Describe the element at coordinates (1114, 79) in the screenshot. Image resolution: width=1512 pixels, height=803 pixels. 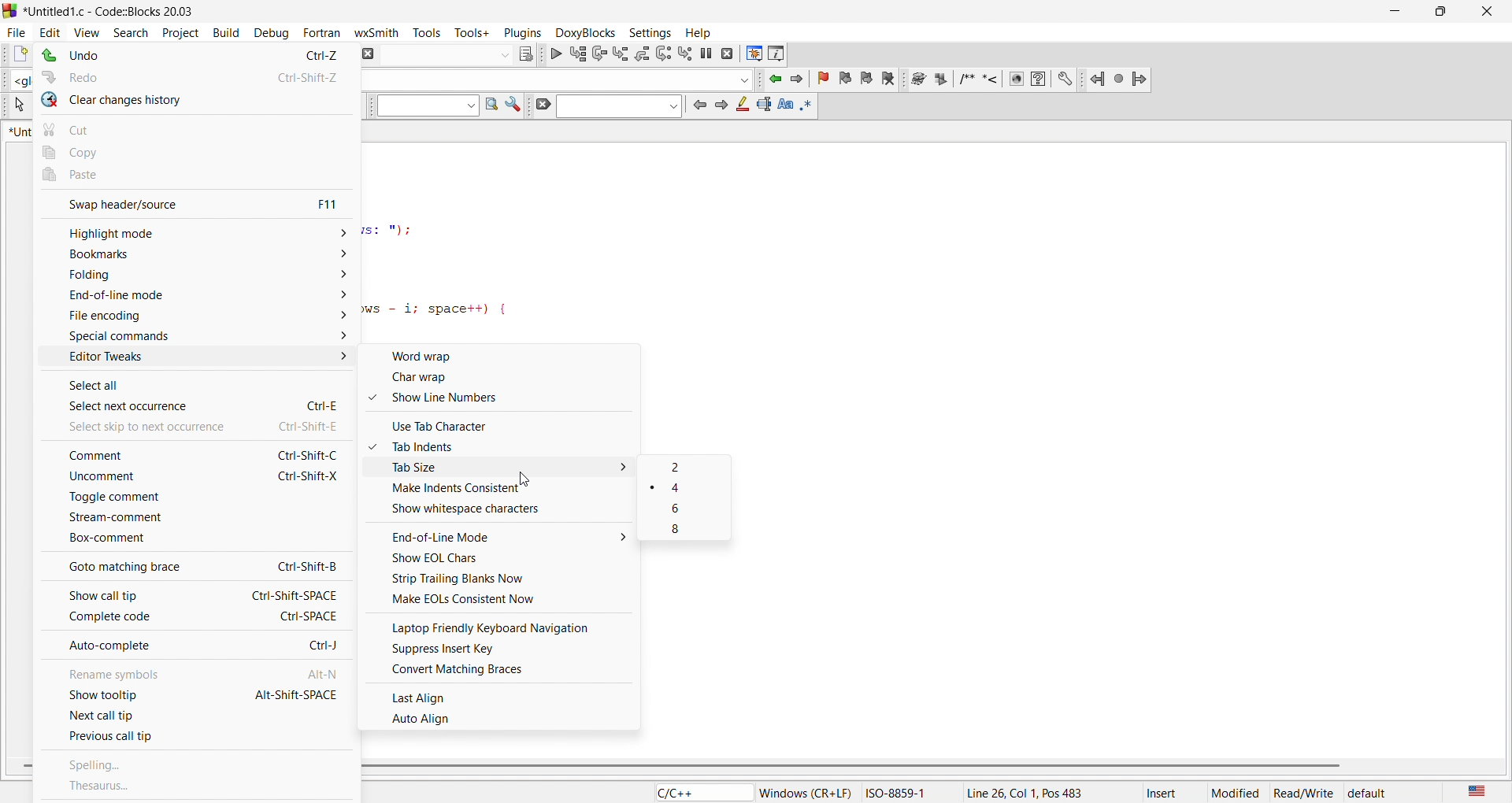
I see `jump icon` at that location.